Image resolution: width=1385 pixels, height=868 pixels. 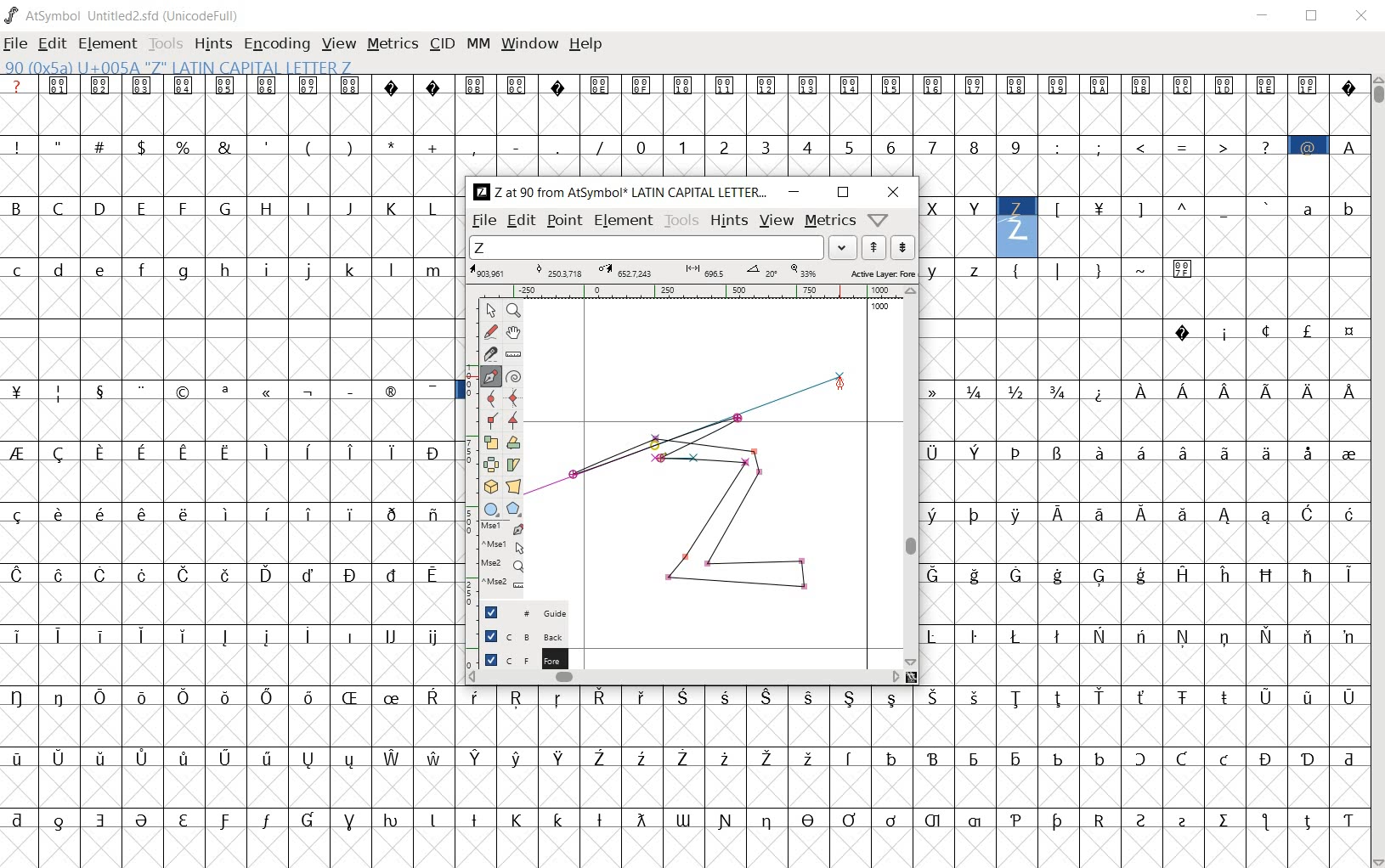 I want to click on Z at 90 from AtSymbol* LATIN CAPITAL LETTER..., so click(x=619, y=193).